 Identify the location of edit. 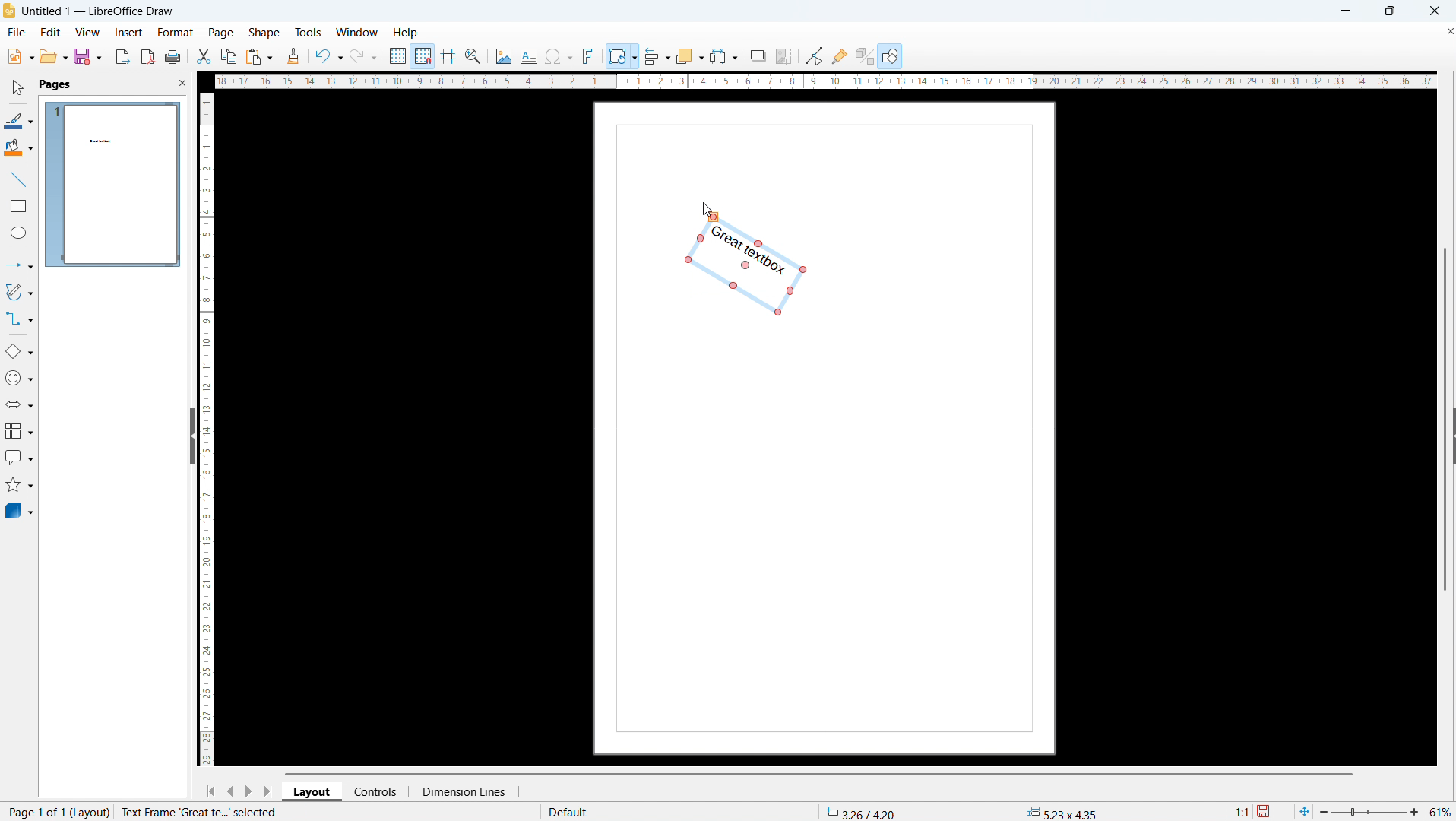
(49, 32).